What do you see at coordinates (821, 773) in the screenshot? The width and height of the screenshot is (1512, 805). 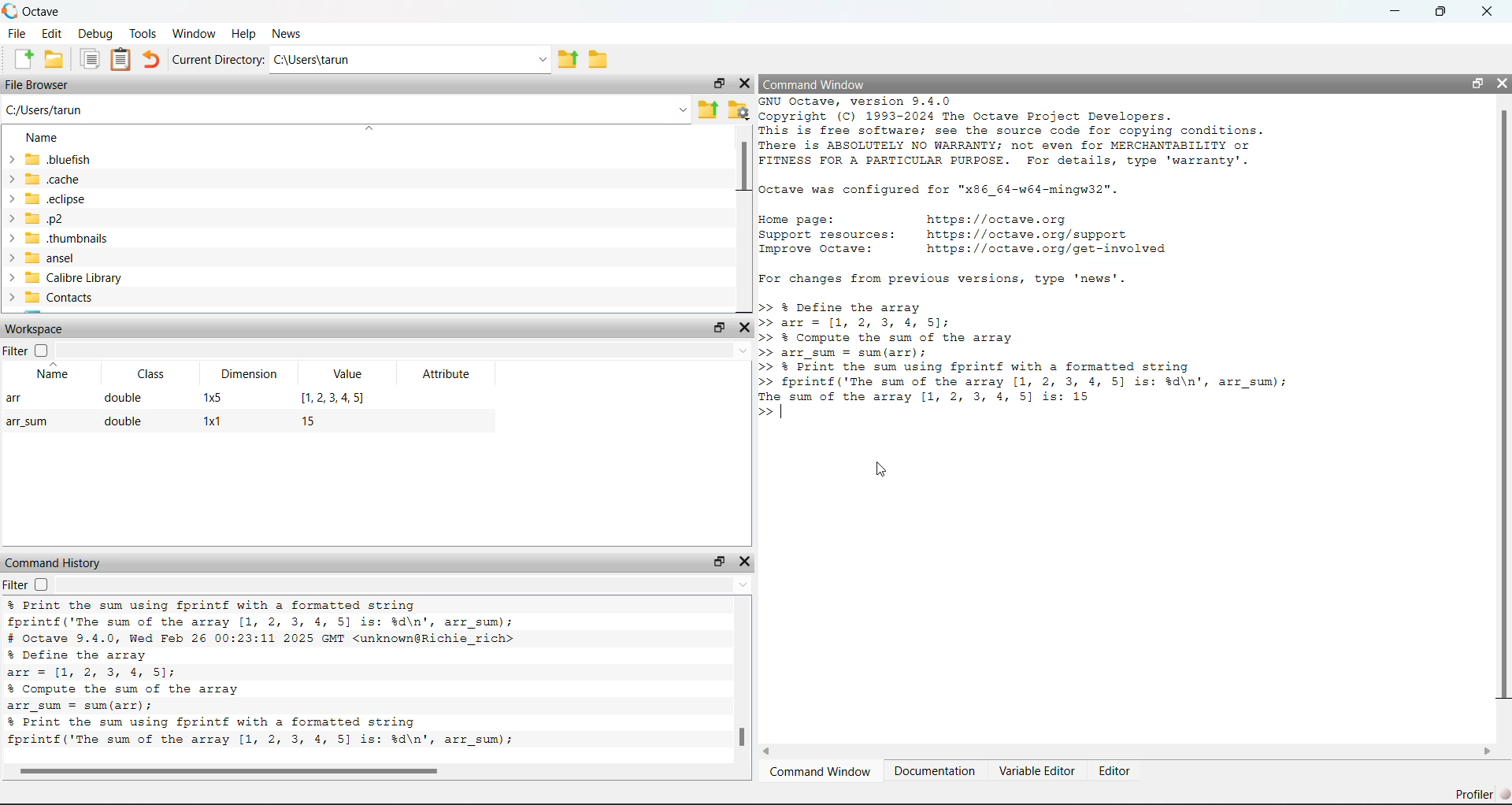 I see `Command Window` at bounding box center [821, 773].